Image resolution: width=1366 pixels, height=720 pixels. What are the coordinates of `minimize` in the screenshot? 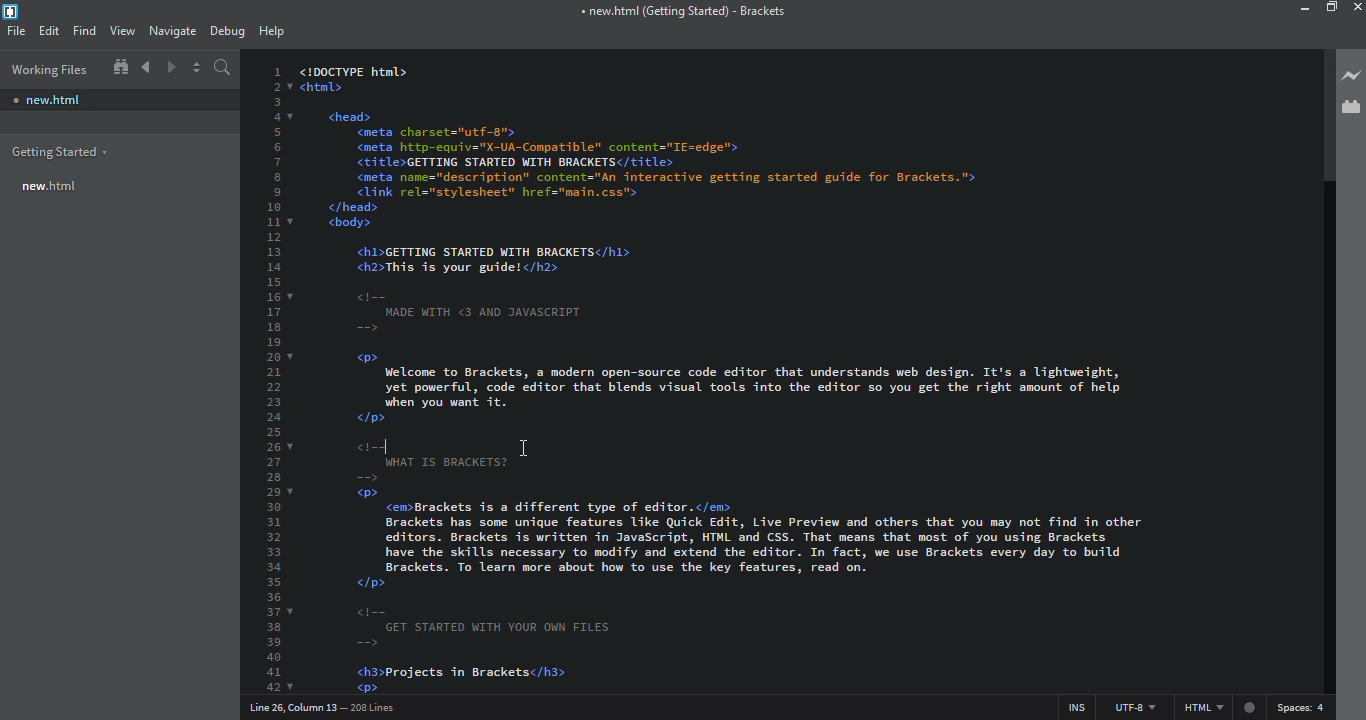 It's located at (1300, 9).